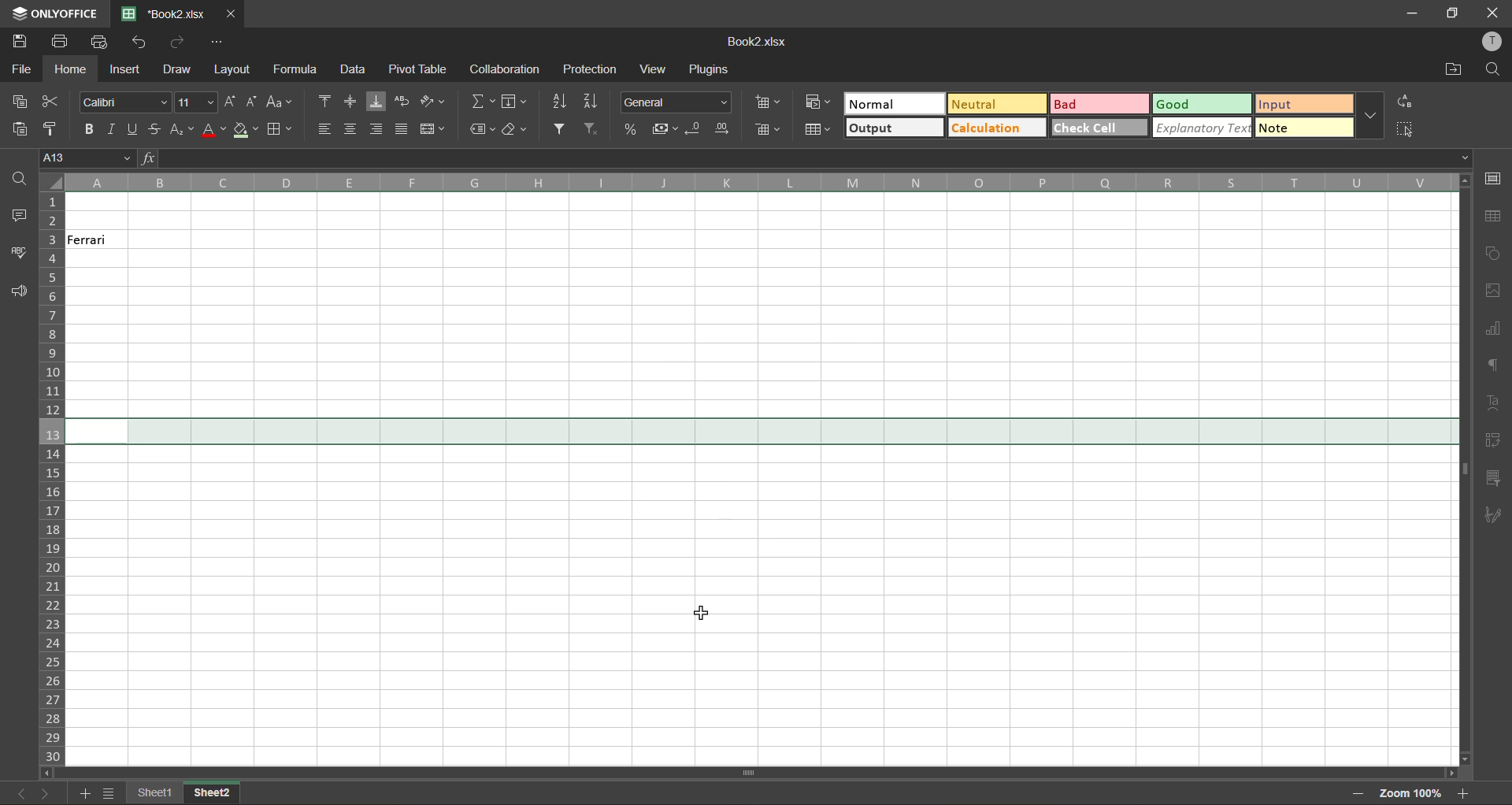 This screenshot has height=805, width=1512. I want to click on neutral, so click(1001, 105).